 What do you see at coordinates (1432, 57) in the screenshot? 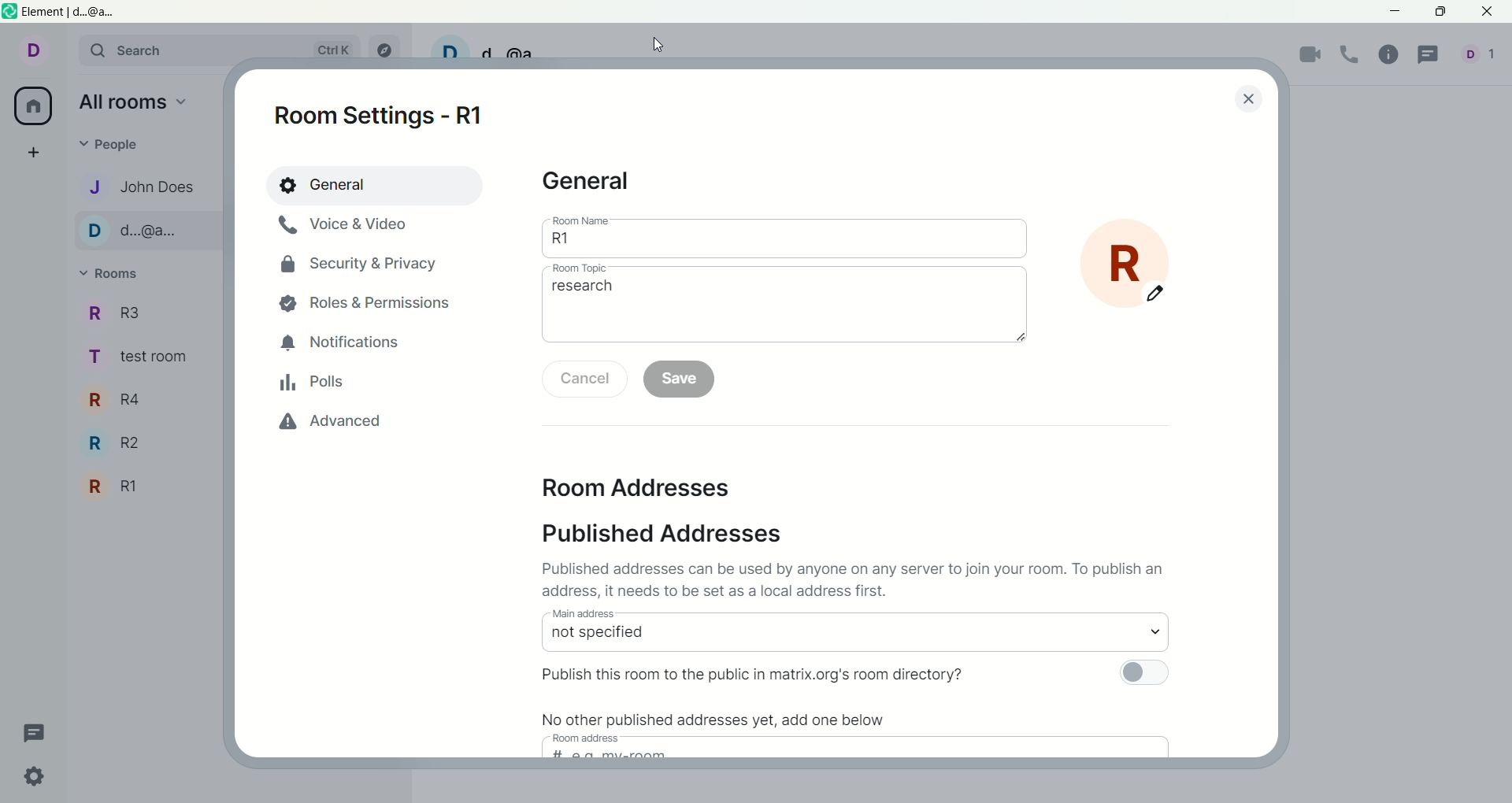
I see `threads` at bounding box center [1432, 57].